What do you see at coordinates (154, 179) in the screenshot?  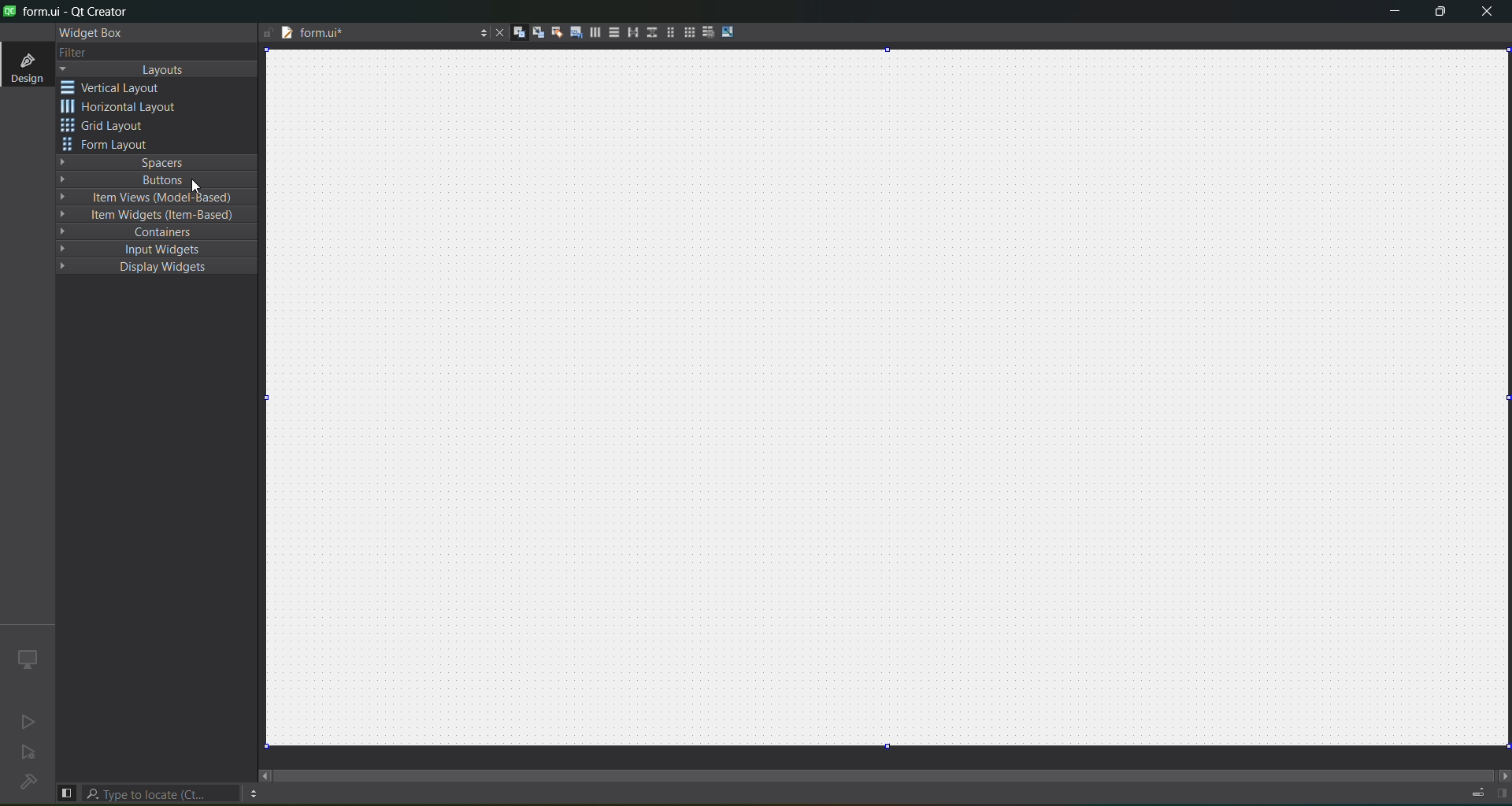 I see `button` at bounding box center [154, 179].